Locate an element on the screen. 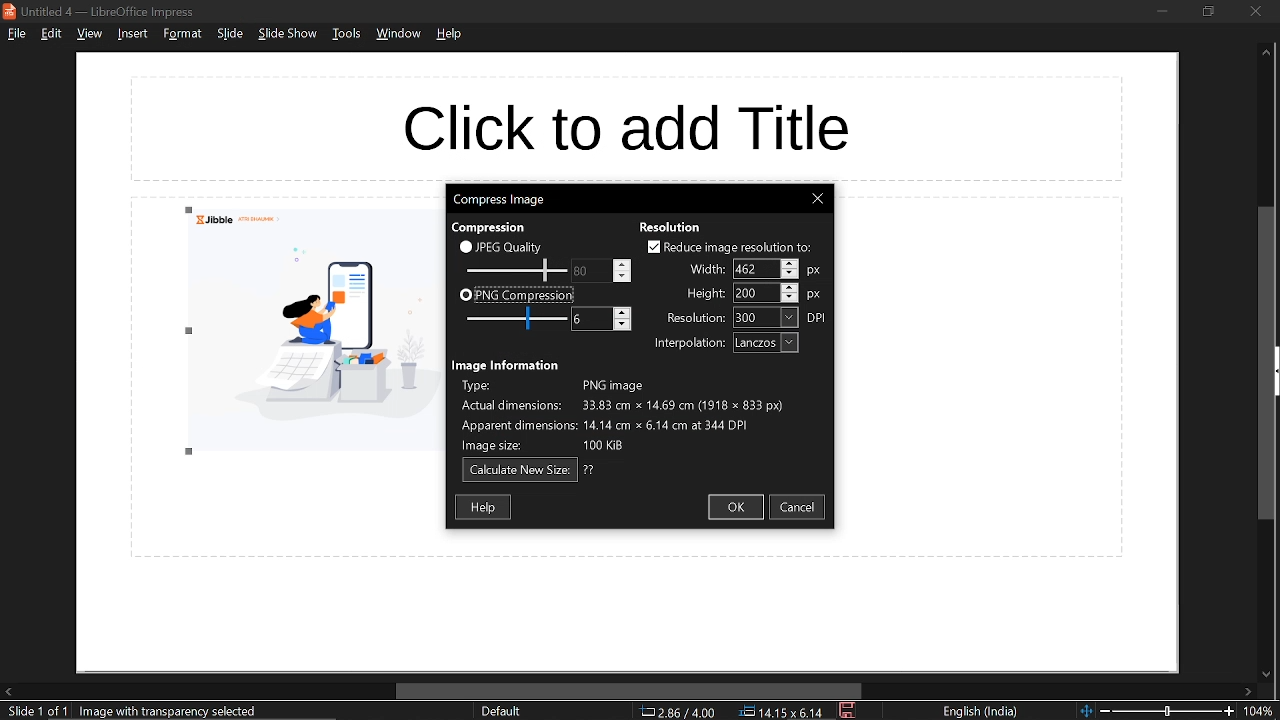  resolution is located at coordinates (691, 319).